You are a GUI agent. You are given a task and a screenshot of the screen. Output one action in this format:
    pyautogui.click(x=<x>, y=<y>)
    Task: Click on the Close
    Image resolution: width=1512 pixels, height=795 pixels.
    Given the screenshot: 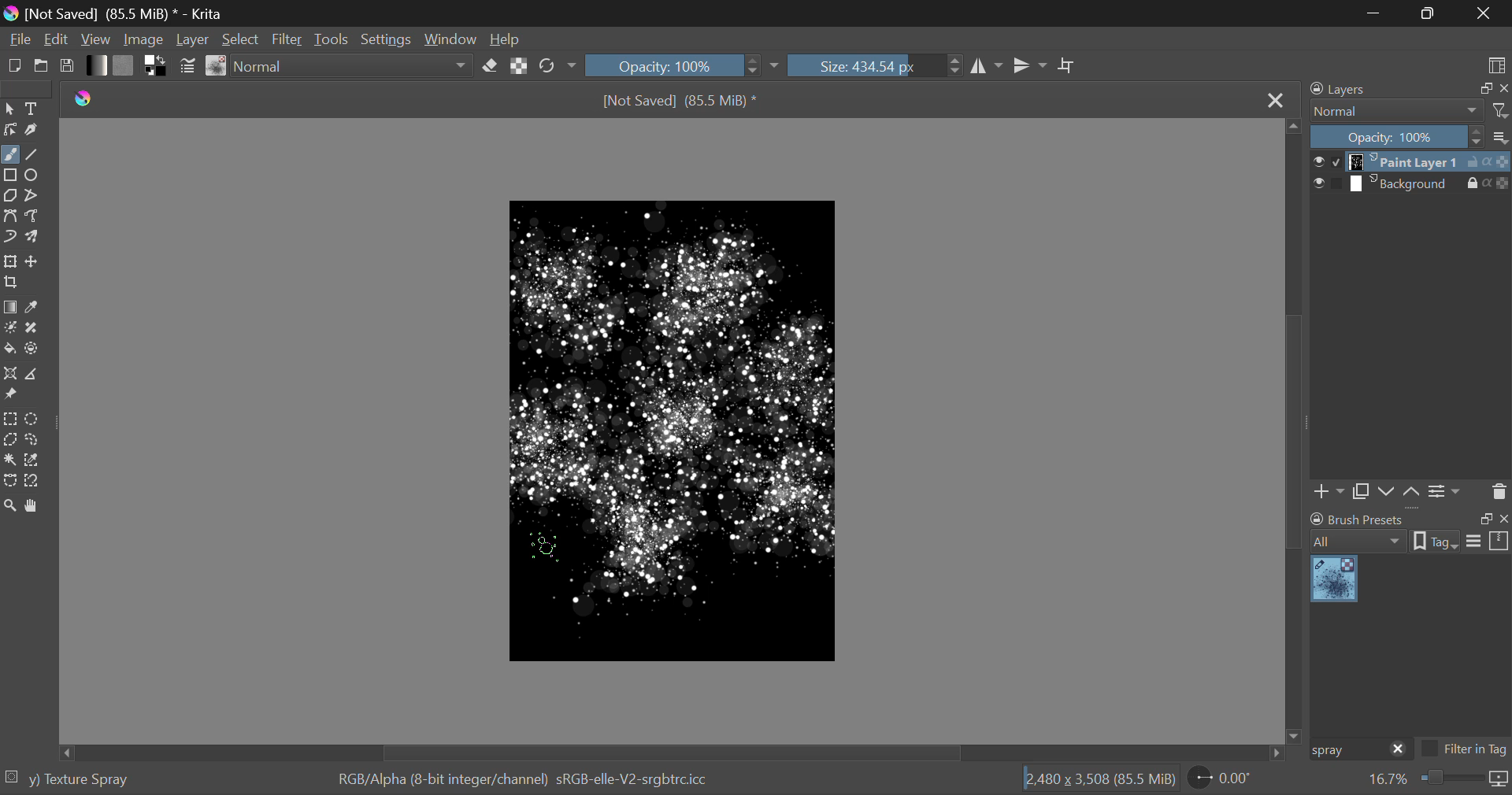 What is the action you would take?
    pyautogui.click(x=1275, y=102)
    